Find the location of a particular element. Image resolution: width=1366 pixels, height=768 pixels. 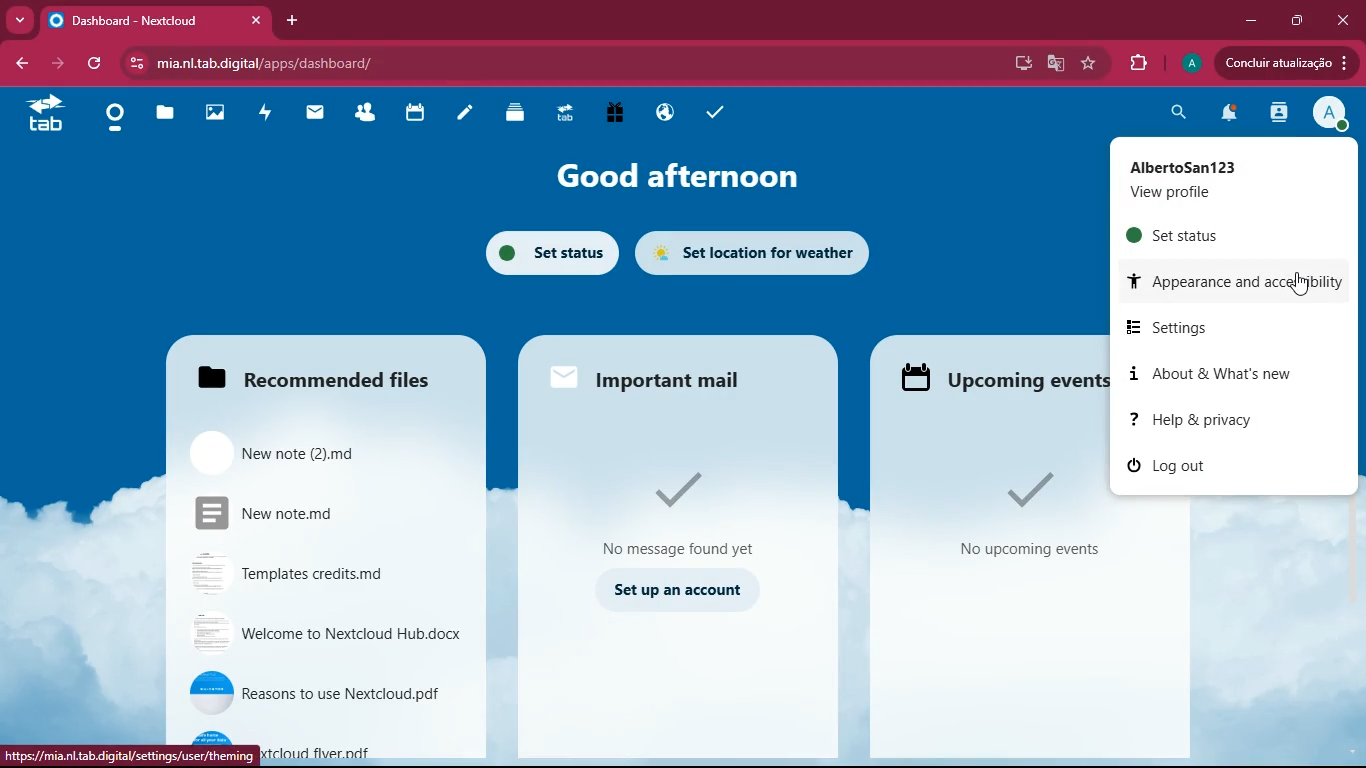

back is located at coordinates (18, 61).